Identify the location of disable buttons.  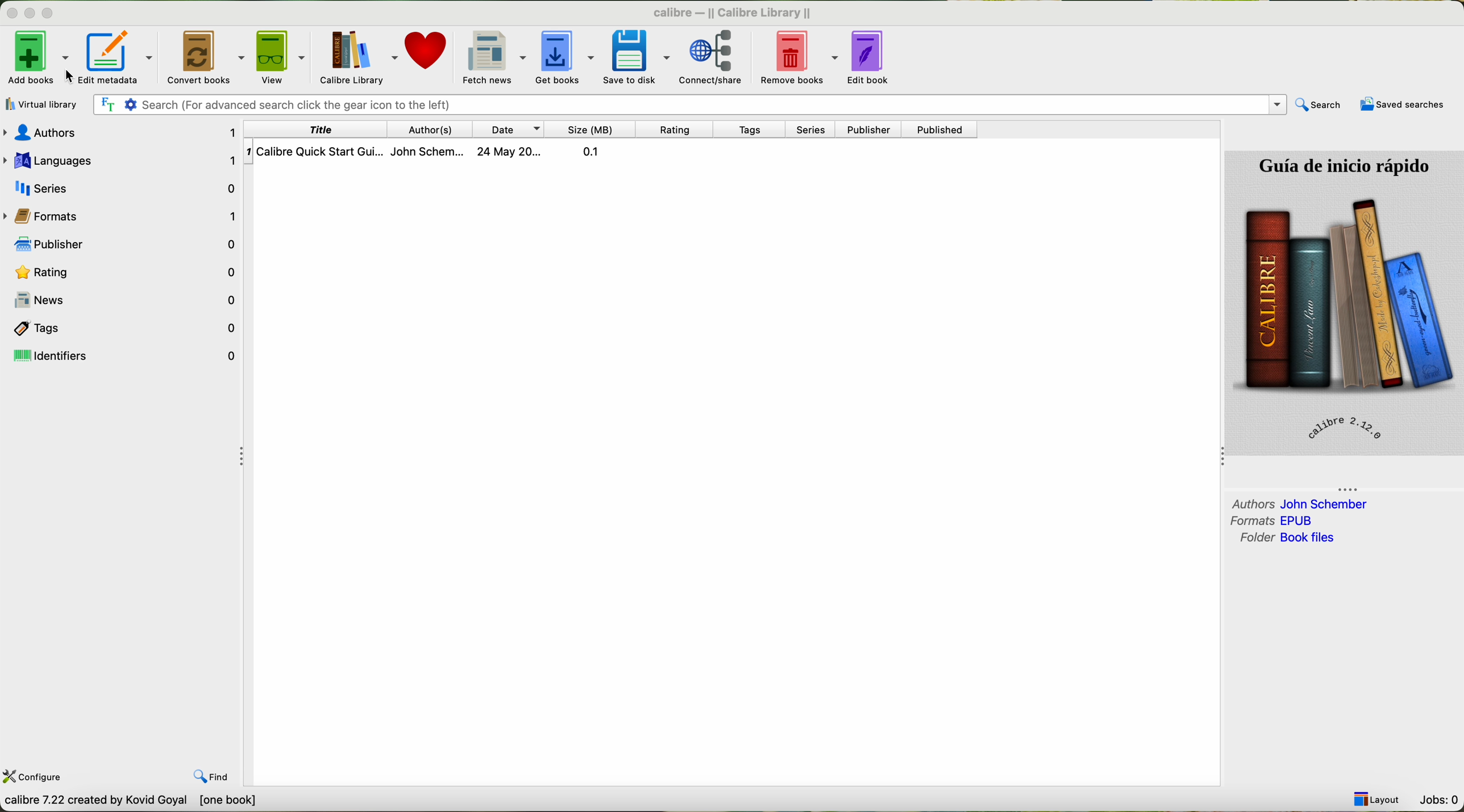
(30, 11).